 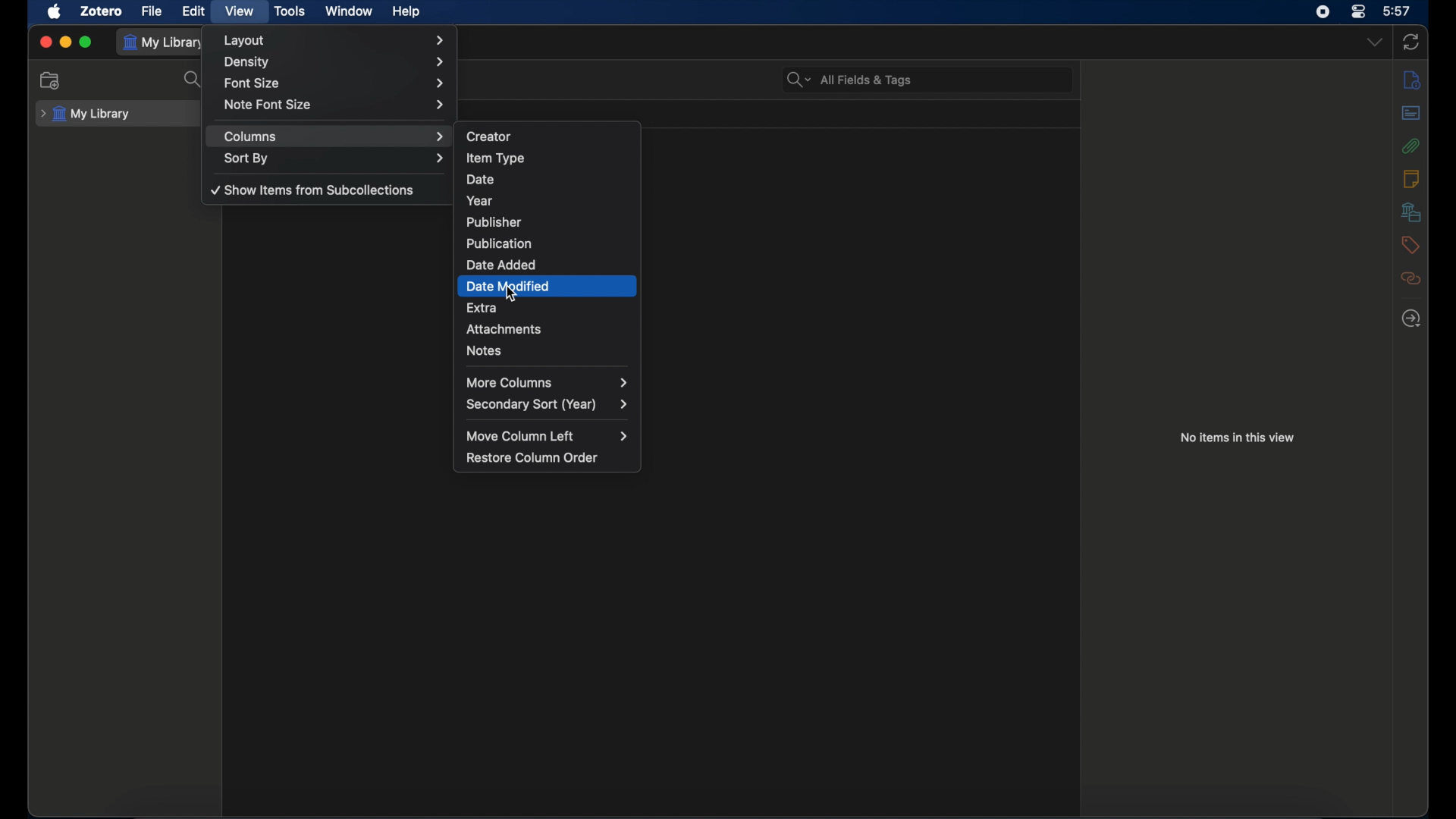 I want to click on layout, so click(x=337, y=40).